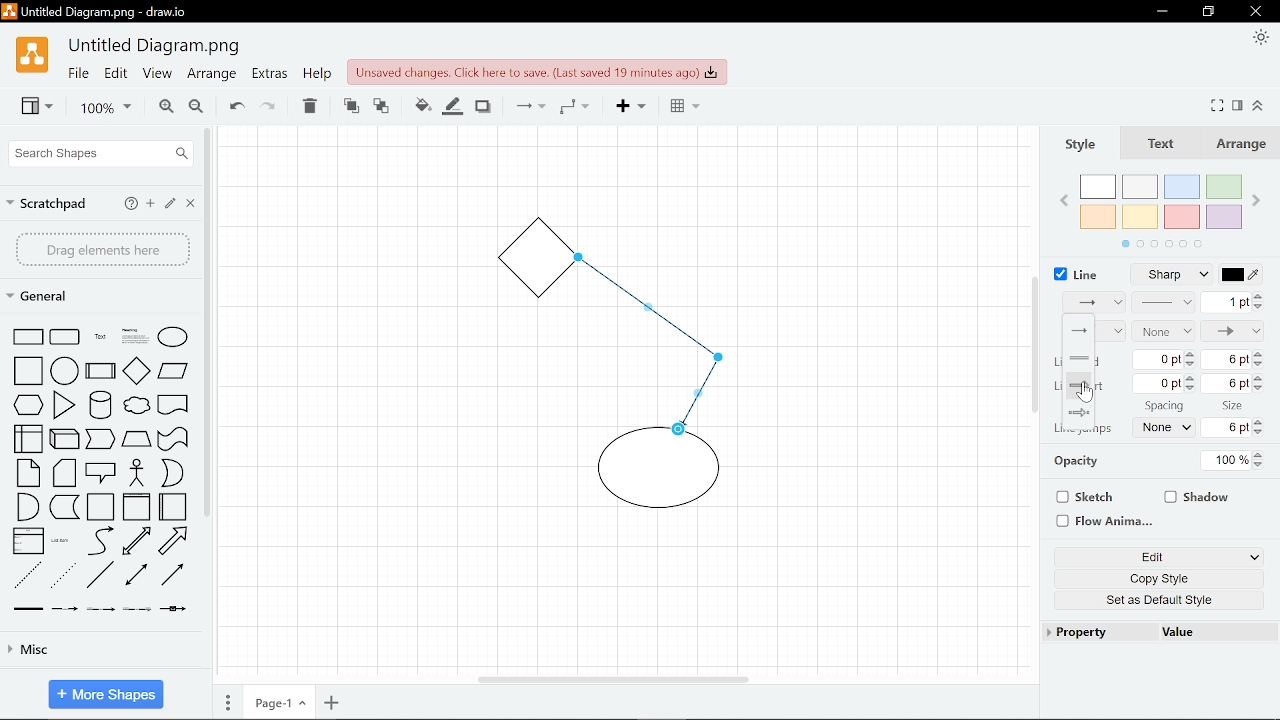 This screenshot has width=1280, height=720. I want to click on Appearence, so click(1258, 39).